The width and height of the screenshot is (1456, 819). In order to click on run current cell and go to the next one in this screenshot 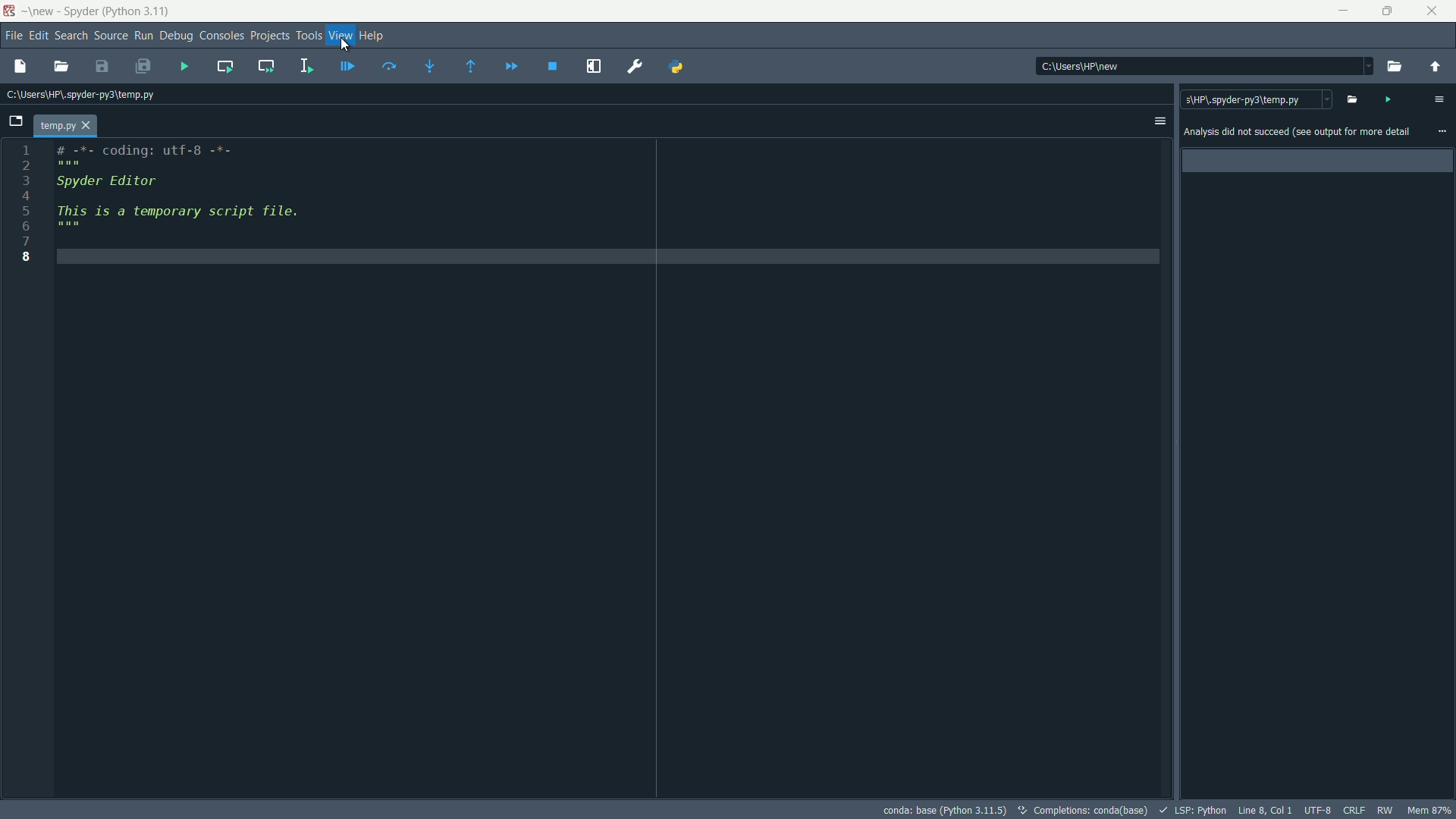, I will do `click(266, 65)`.